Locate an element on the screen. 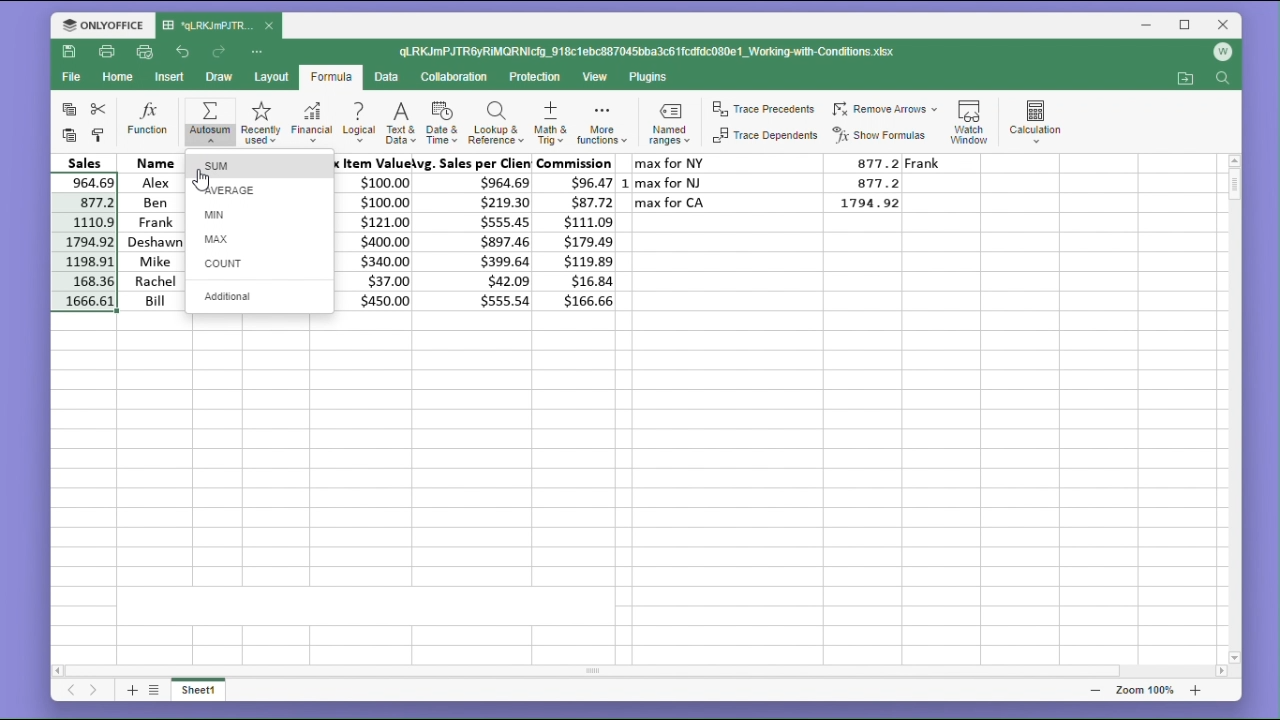  max item values is located at coordinates (378, 233).